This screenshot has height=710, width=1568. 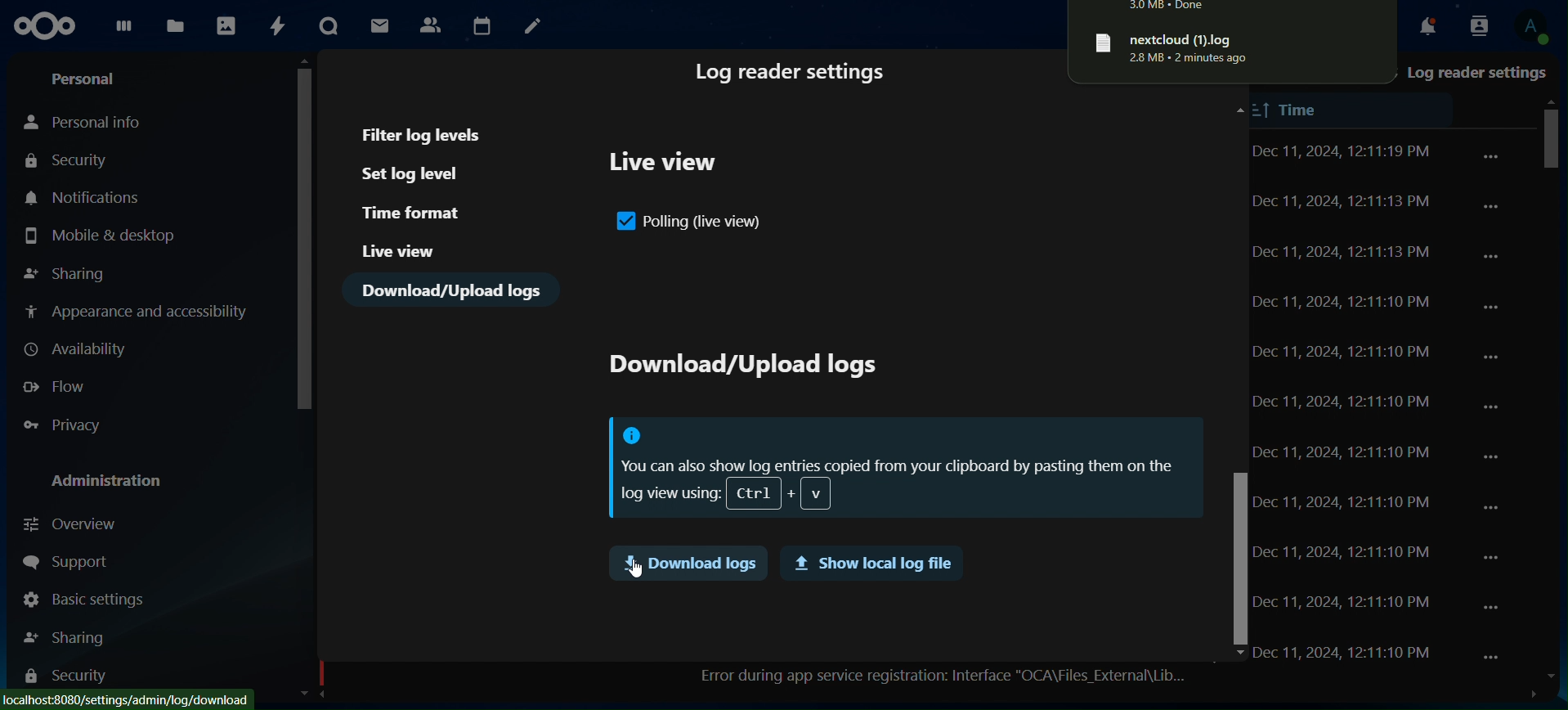 What do you see at coordinates (1494, 410) in the screenshot?
I see `...` at bounding box center [1494, 410].